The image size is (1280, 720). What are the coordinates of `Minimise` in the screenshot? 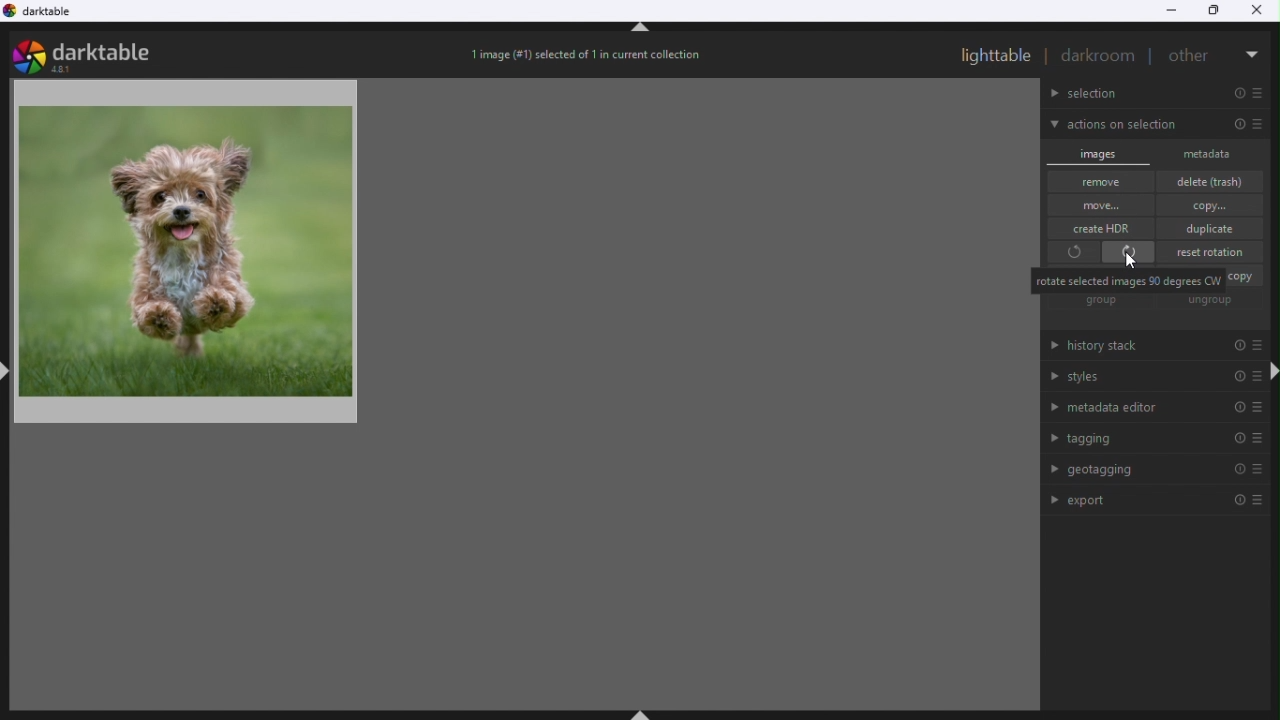 It's located at (1171, 10).